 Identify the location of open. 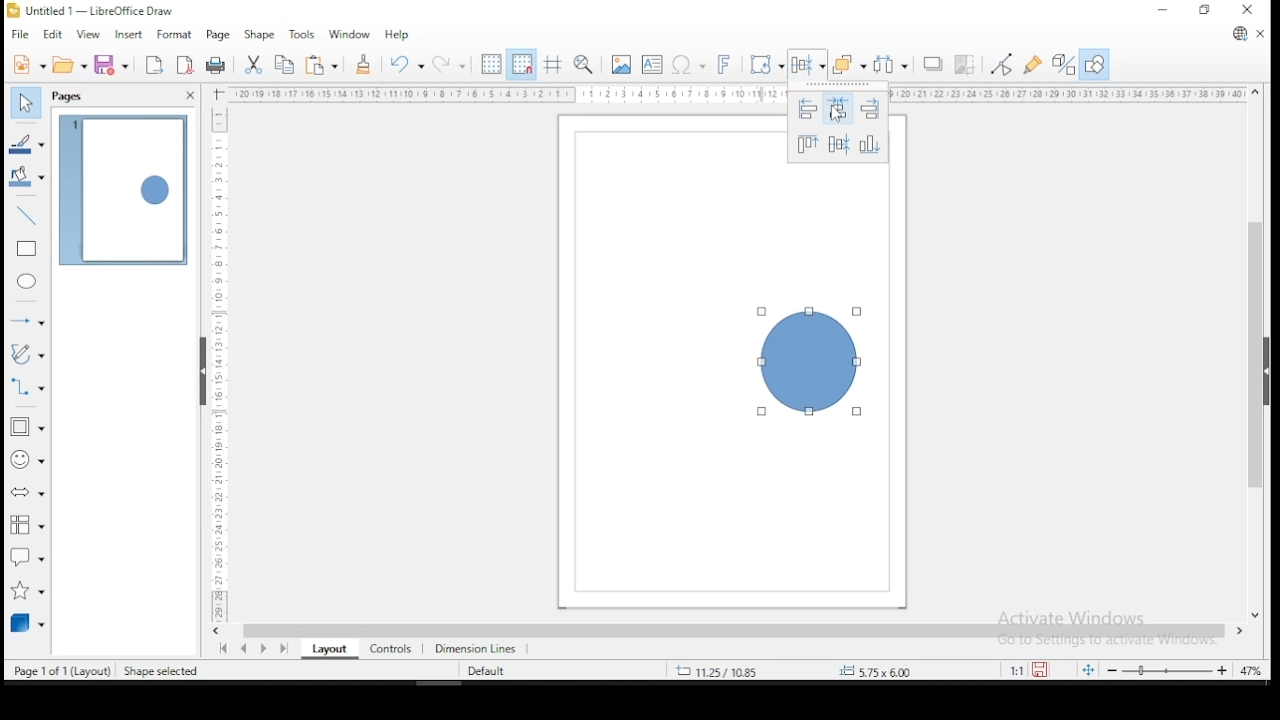
(70, 64).